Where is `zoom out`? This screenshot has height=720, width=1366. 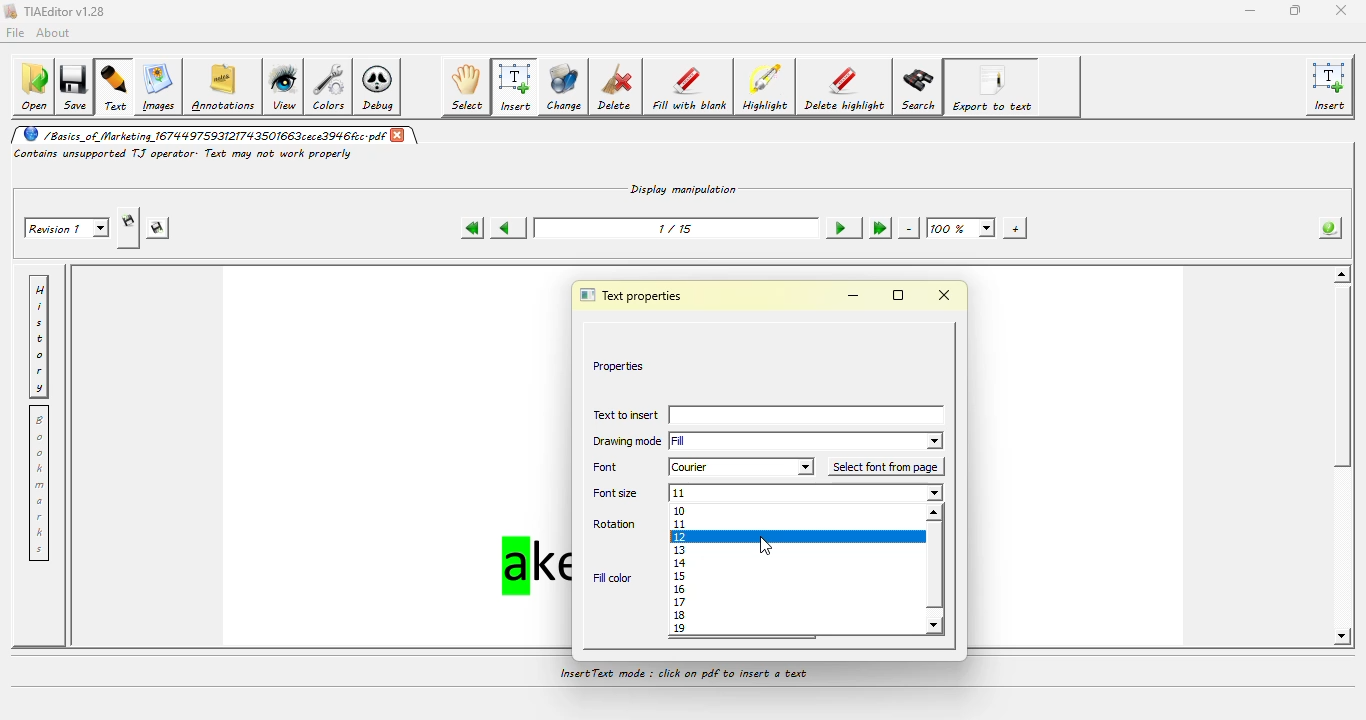
zoom out is located at coordinates (909, 228).